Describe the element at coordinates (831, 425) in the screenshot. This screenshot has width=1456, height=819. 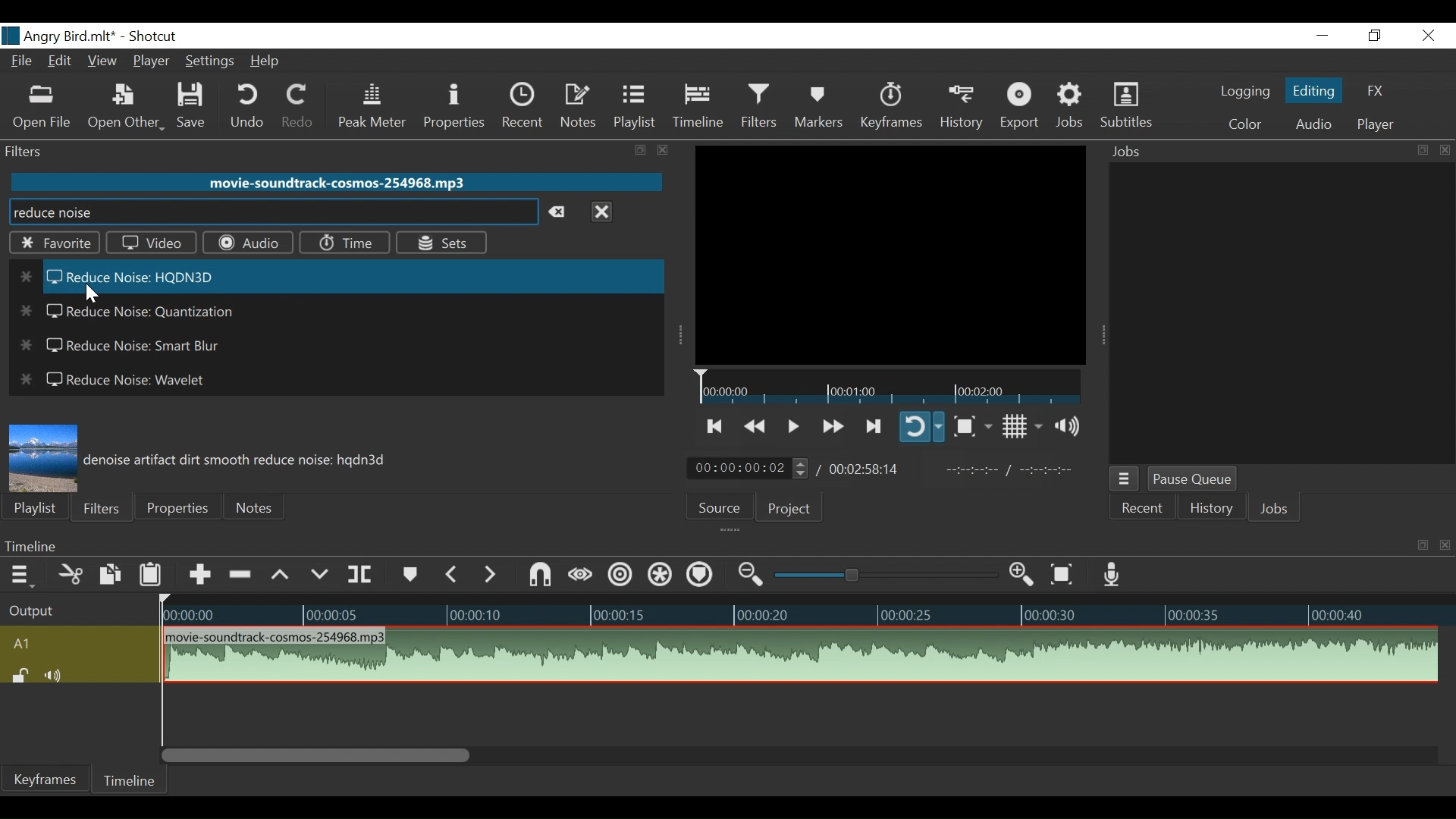
I see `Play quickly forward` at that location.